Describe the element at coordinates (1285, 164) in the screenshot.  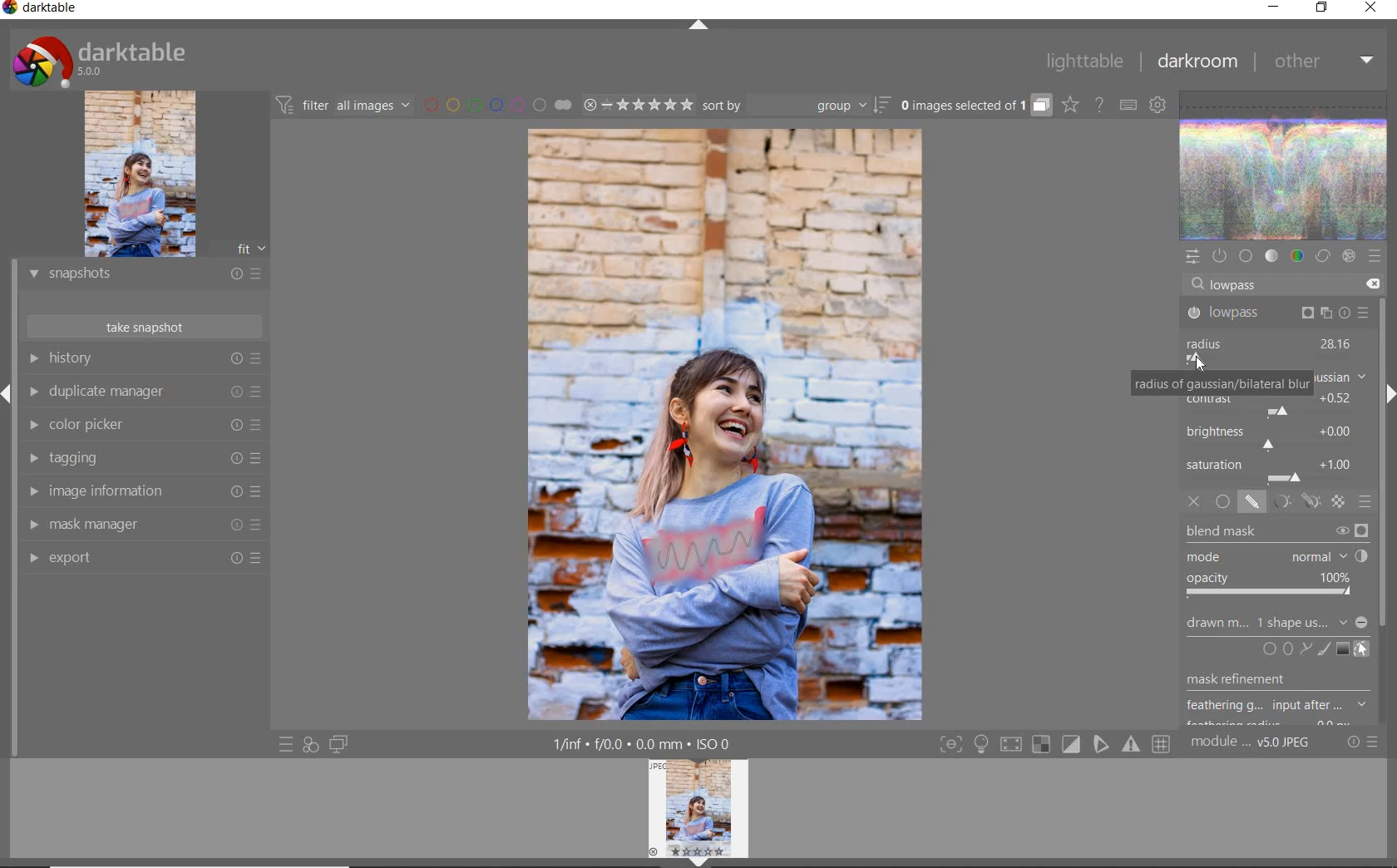
I see `waveform` at that location.